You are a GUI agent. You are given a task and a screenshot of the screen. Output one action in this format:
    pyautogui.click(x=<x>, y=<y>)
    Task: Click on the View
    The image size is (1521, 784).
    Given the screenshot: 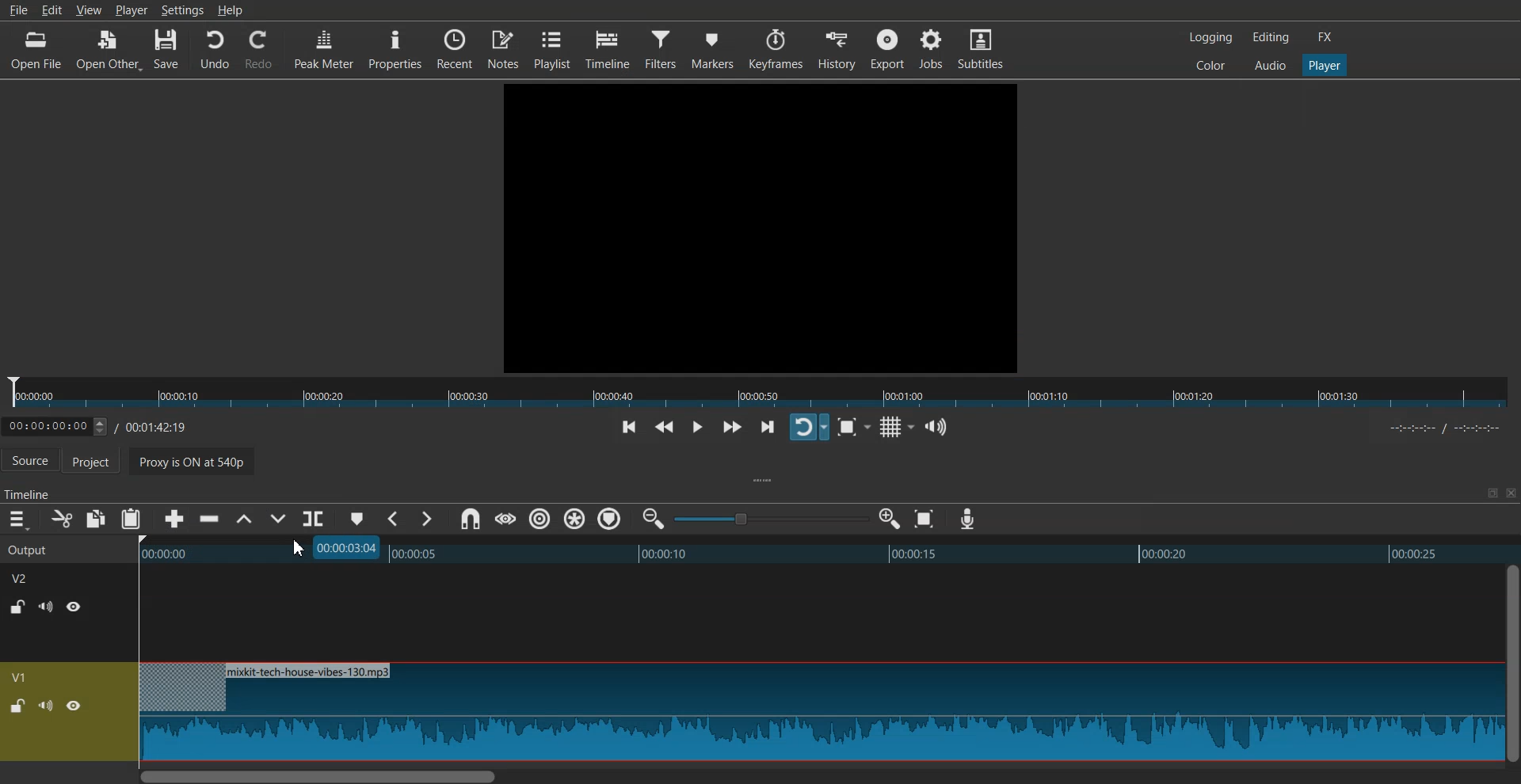 What is the action you would take?
    pyautogui.click(x=89, y=10)
    